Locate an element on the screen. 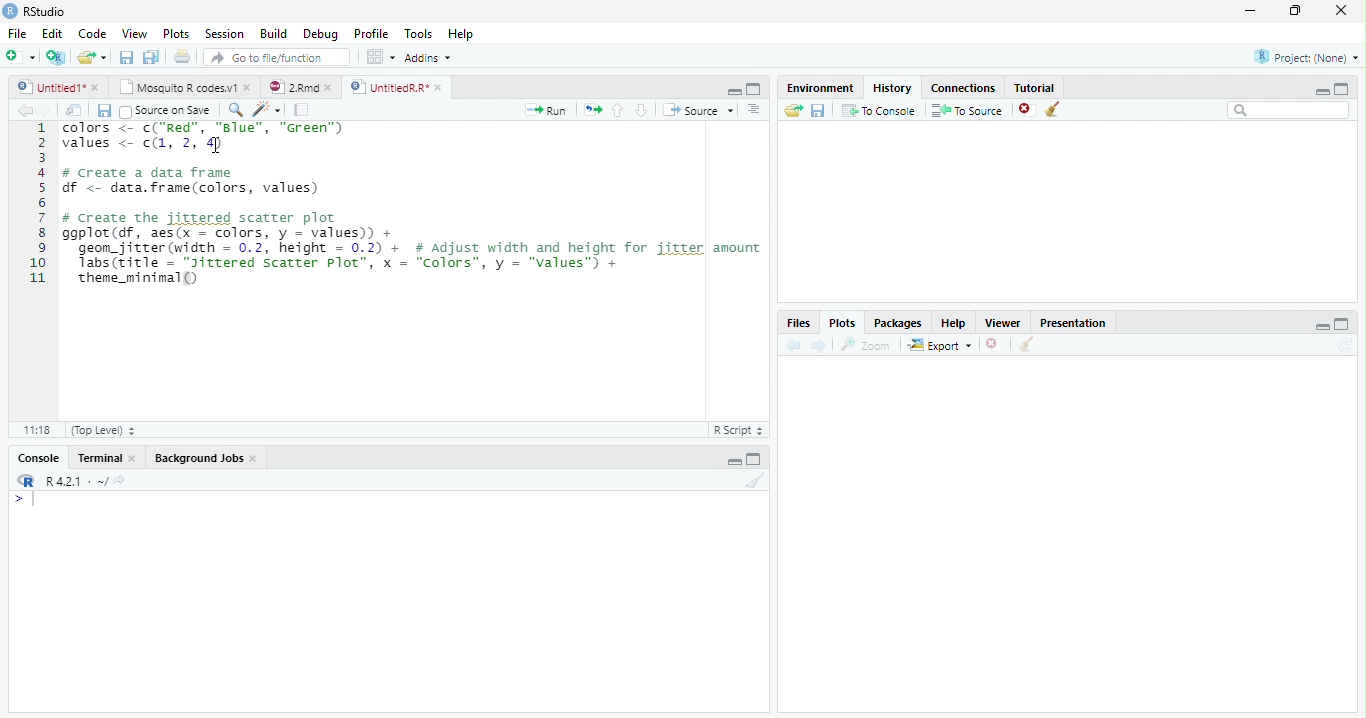  Console is located at coordinates (39, 457).